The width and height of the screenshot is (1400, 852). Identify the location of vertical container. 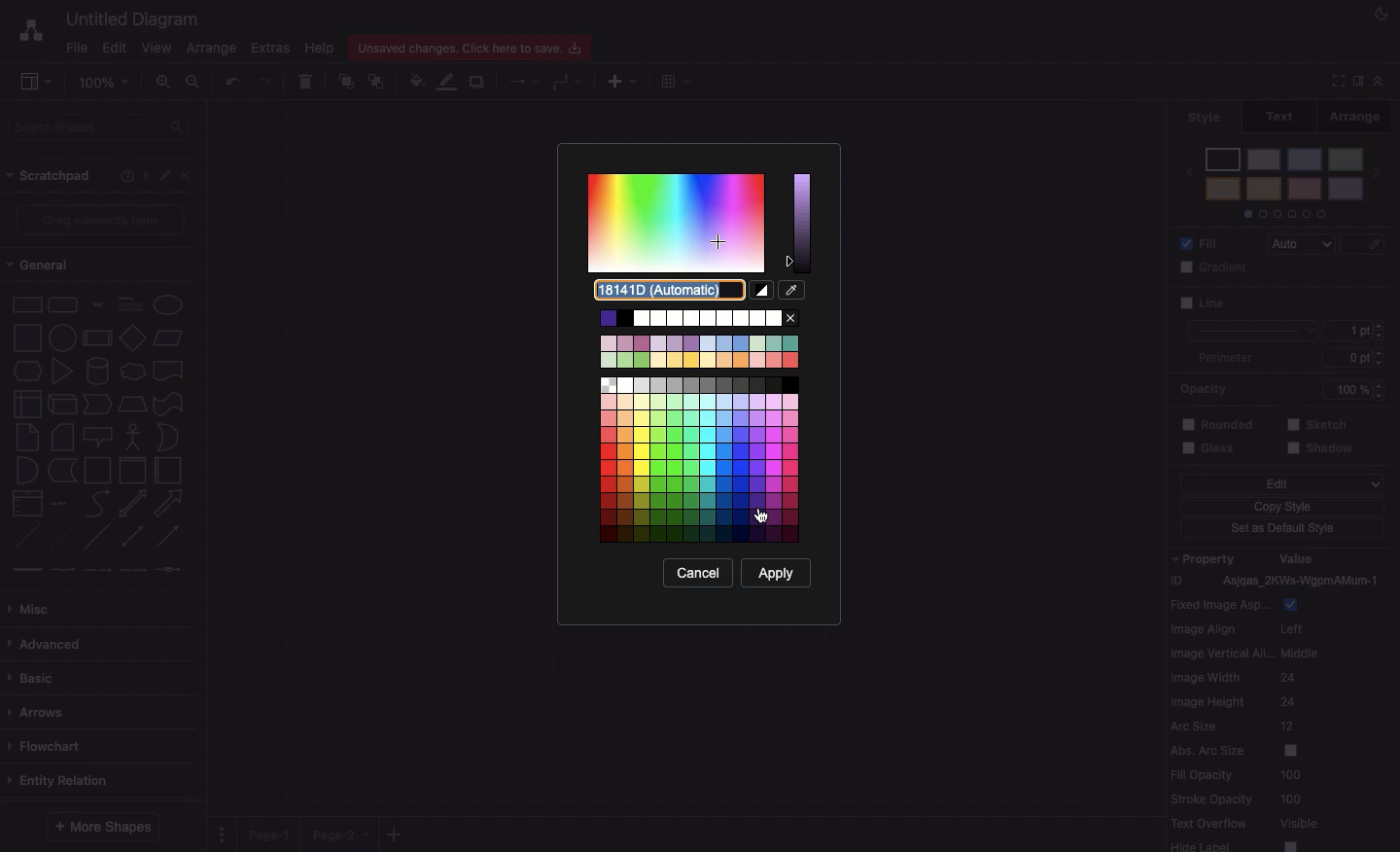
(131, 471).